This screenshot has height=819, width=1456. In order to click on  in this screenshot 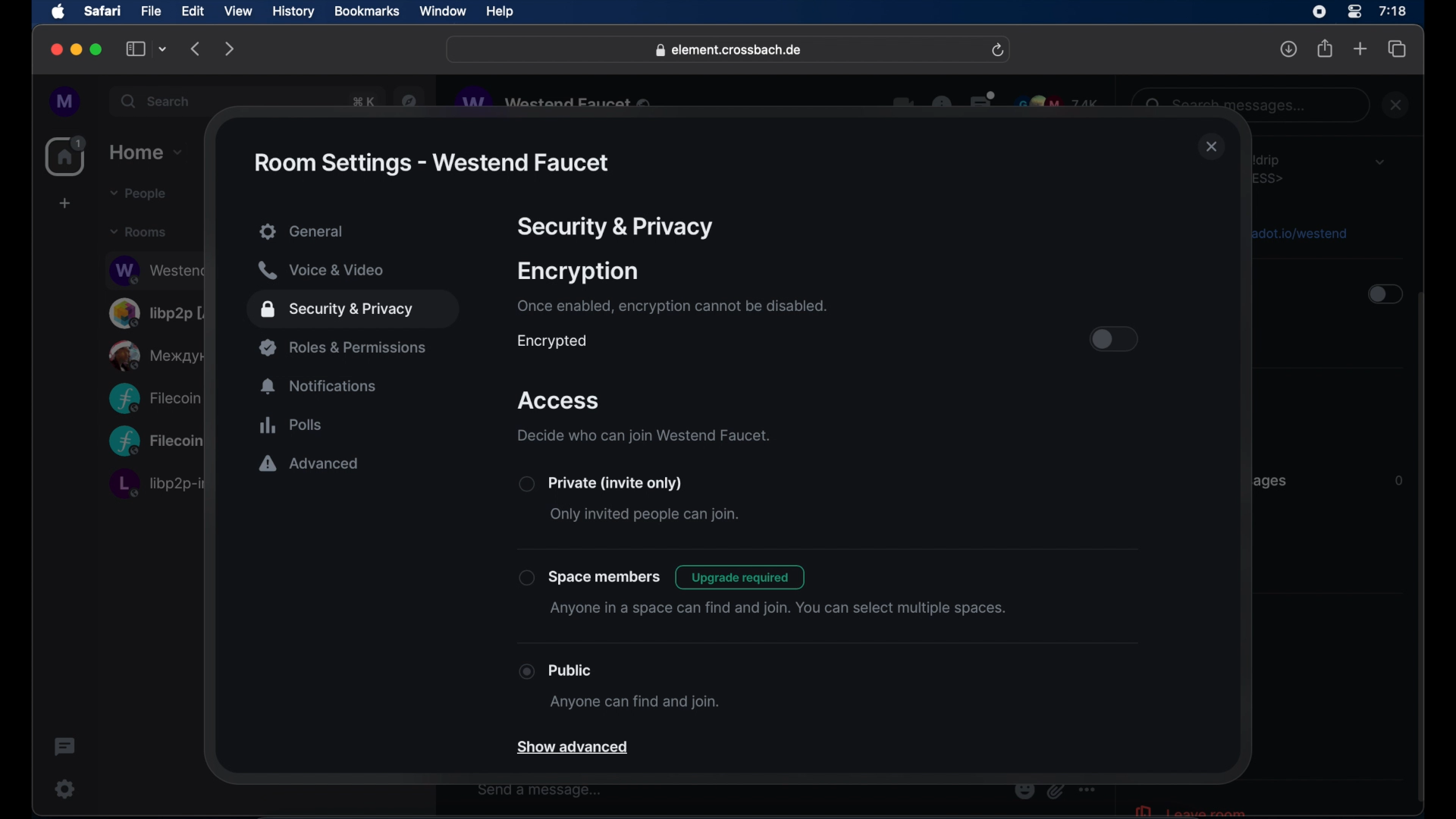, I will do `click(1398, 481)`.